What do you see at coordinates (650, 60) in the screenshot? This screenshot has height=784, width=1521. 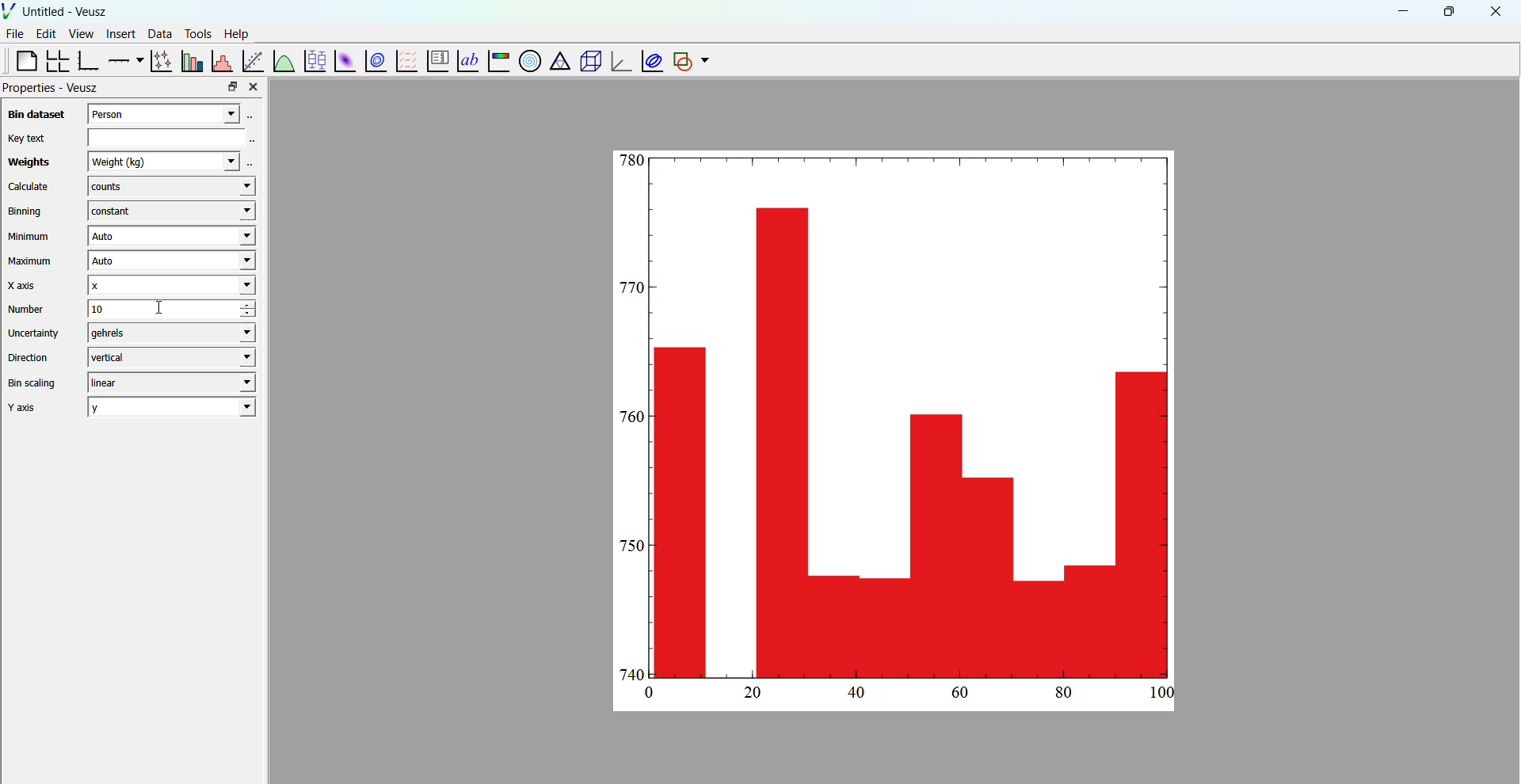 I see `plot covariance ellipses` at bounding box center [650, 60].